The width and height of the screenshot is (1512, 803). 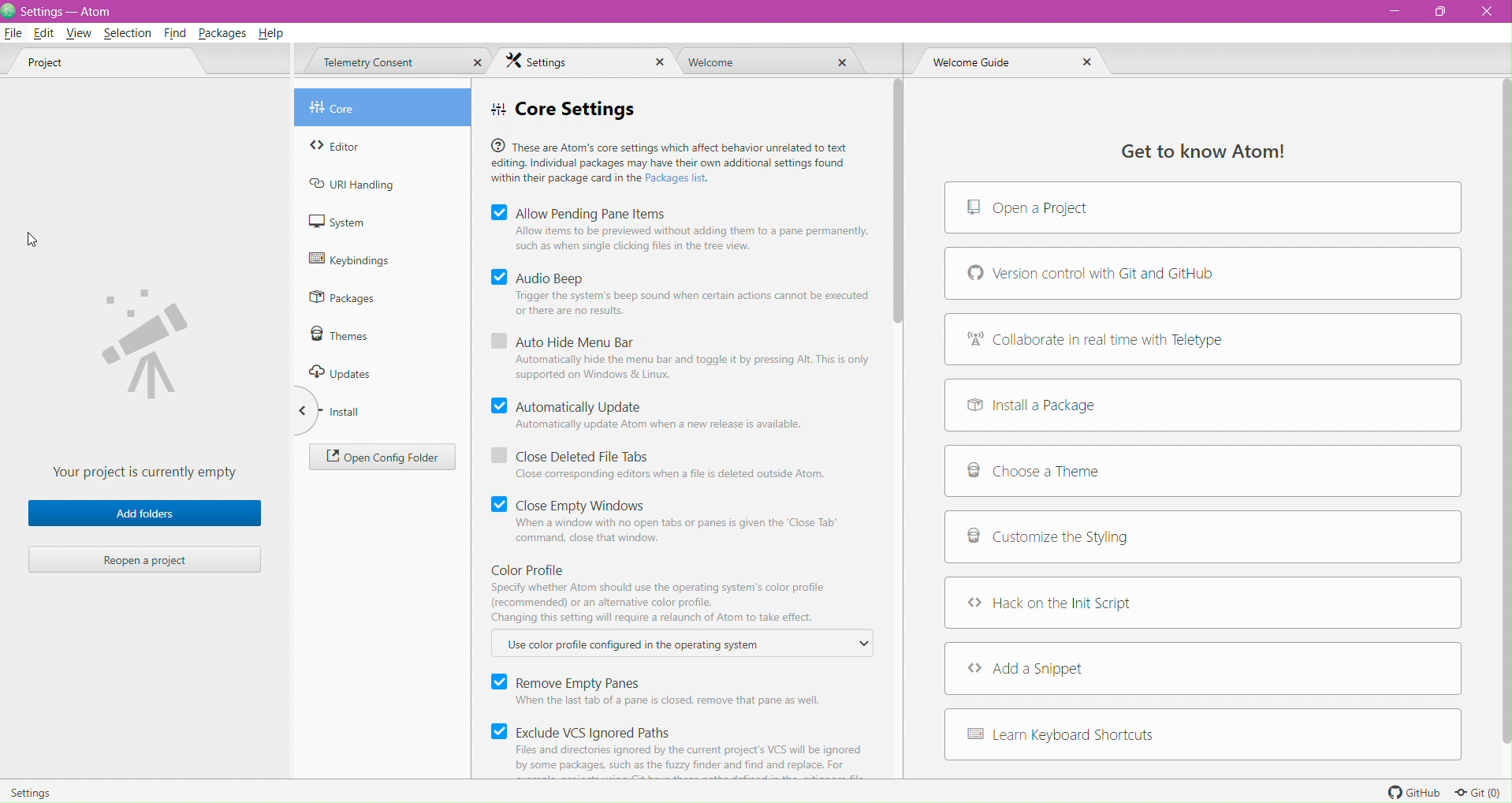 What do you see at coordinates (126, 32) in the screenshot?
I see `Selection` at bounding box center [126, 32].